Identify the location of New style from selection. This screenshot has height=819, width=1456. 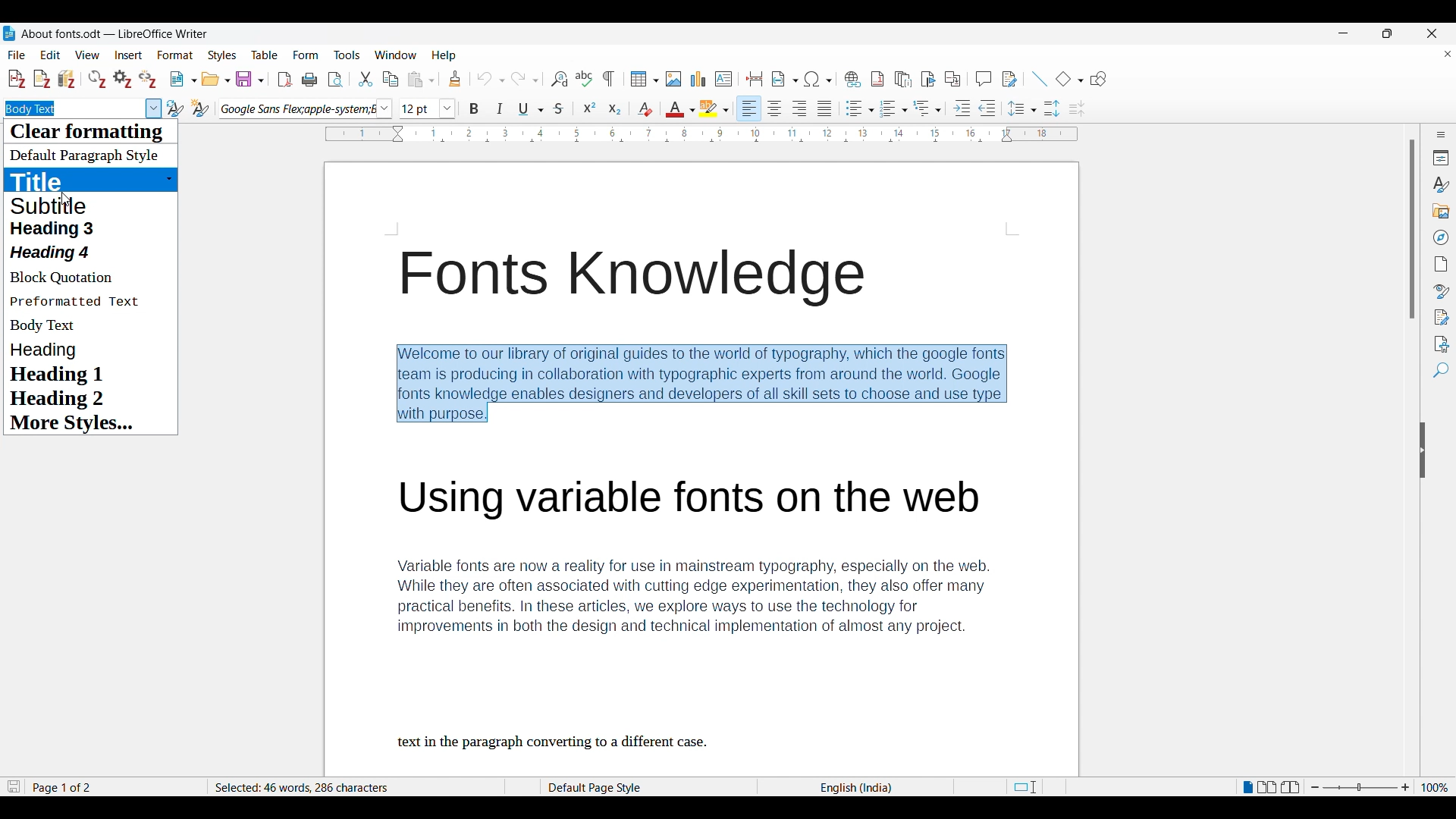
(201, 108).